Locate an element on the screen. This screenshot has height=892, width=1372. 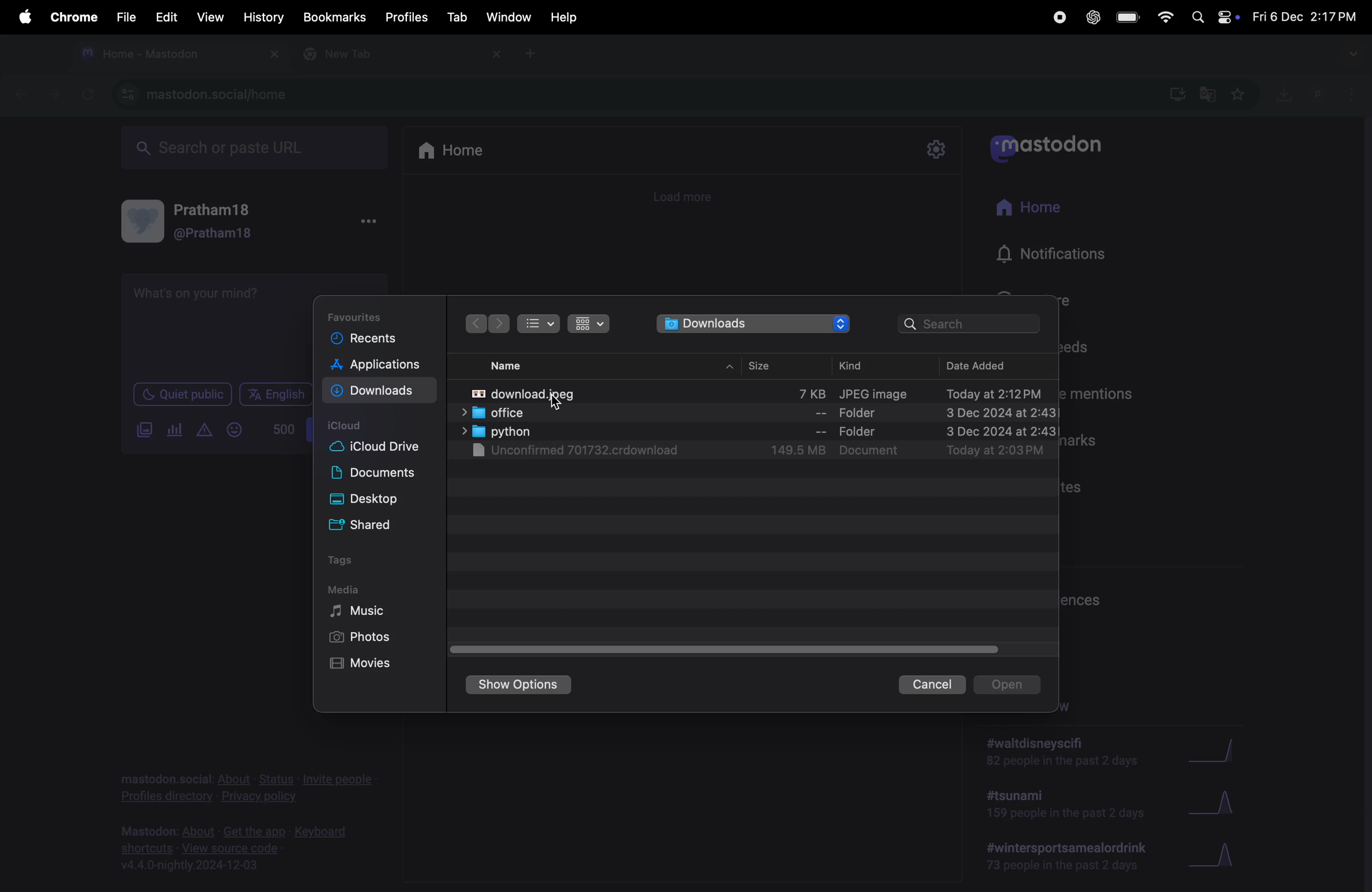
cancel is located at coordinates (934, 683).